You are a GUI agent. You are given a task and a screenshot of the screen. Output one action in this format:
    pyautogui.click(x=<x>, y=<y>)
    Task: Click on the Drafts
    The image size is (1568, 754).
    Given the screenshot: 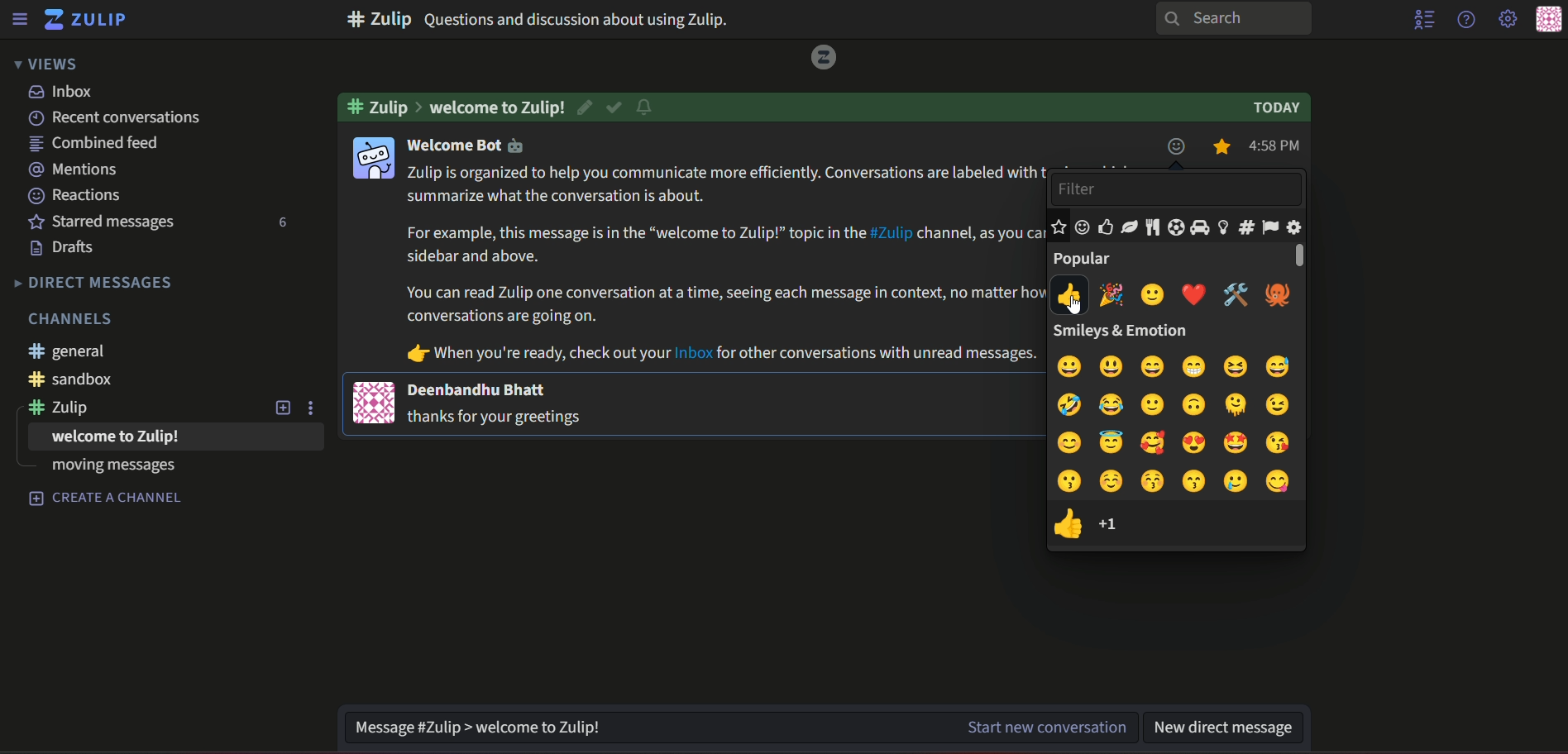 What is the action you would take?
    pyautogui.click(x=62, y=248)
    